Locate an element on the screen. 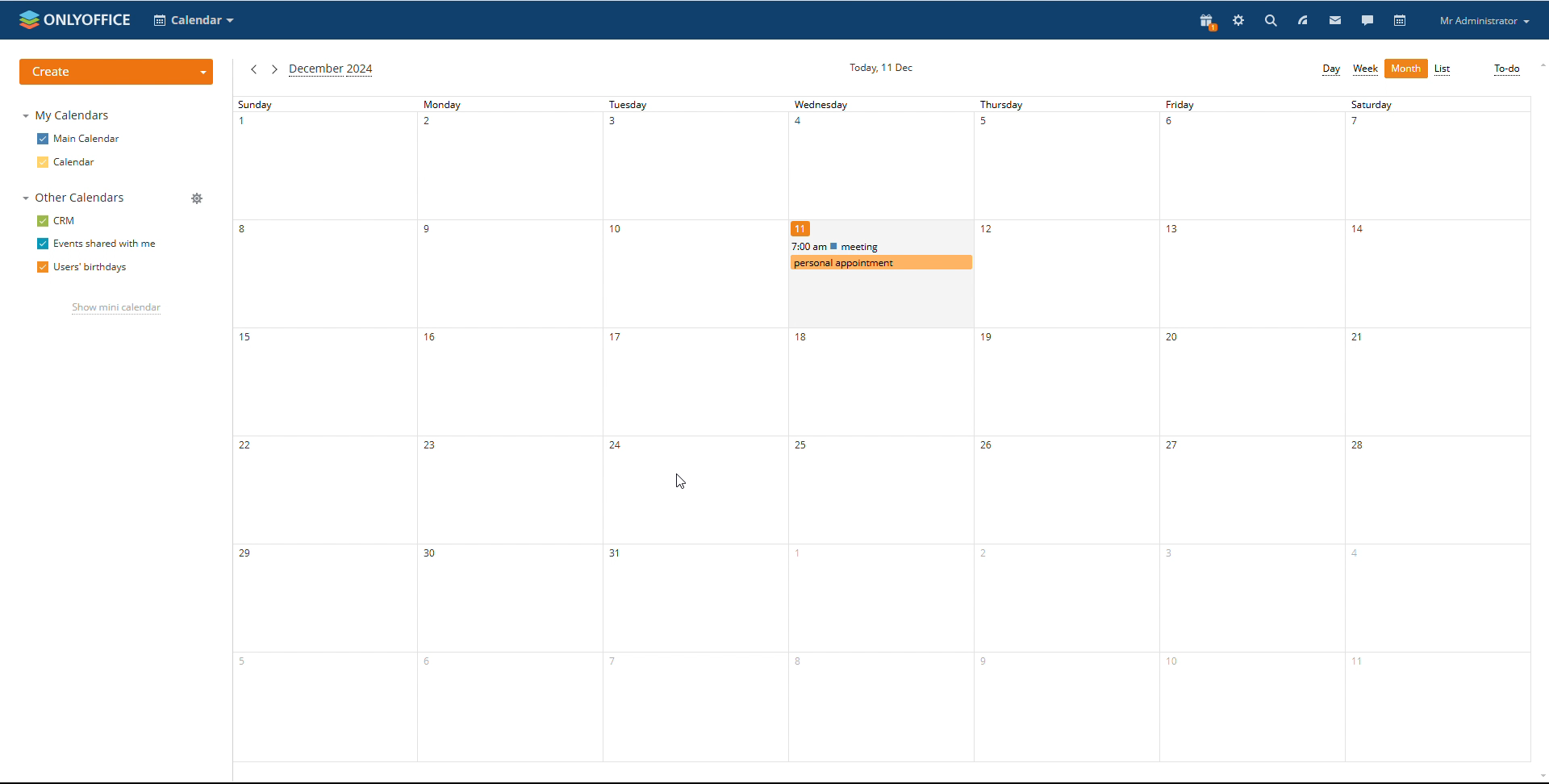 This screenshot has width=1549, height=784. week view is located at coordinates (1366, 70).